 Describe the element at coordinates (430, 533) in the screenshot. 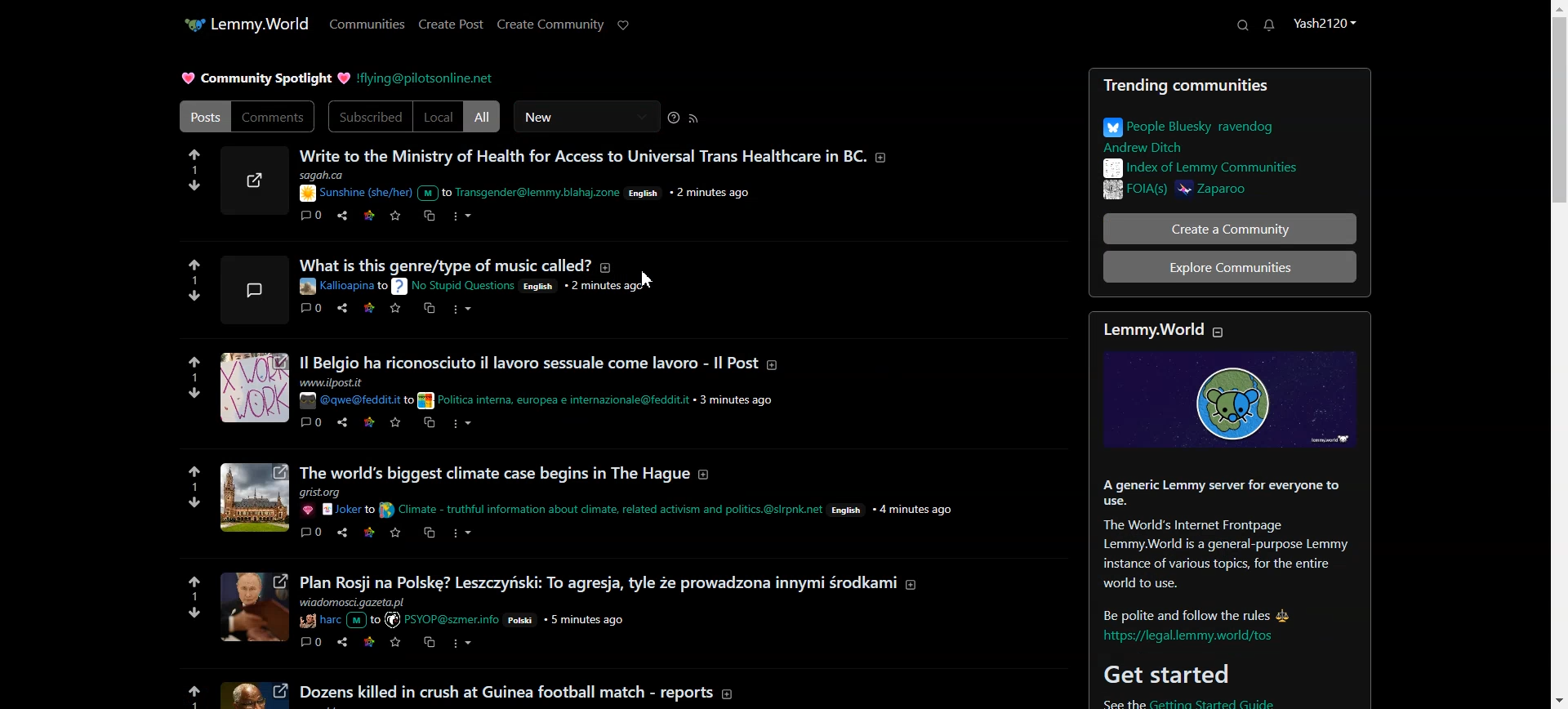

I see `copy` at that location.